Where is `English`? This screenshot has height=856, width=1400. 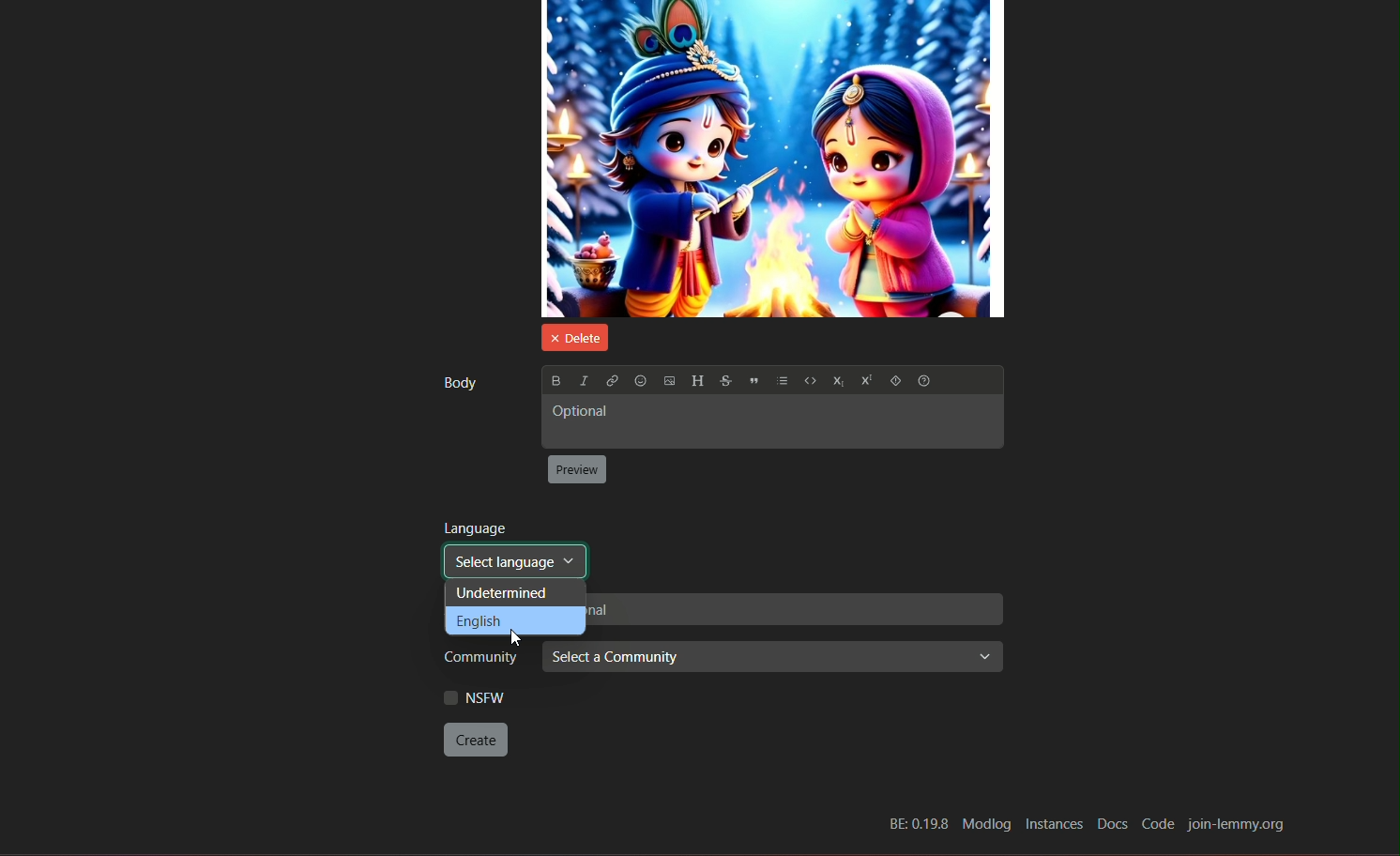 English is located at coordinates (515, 620).